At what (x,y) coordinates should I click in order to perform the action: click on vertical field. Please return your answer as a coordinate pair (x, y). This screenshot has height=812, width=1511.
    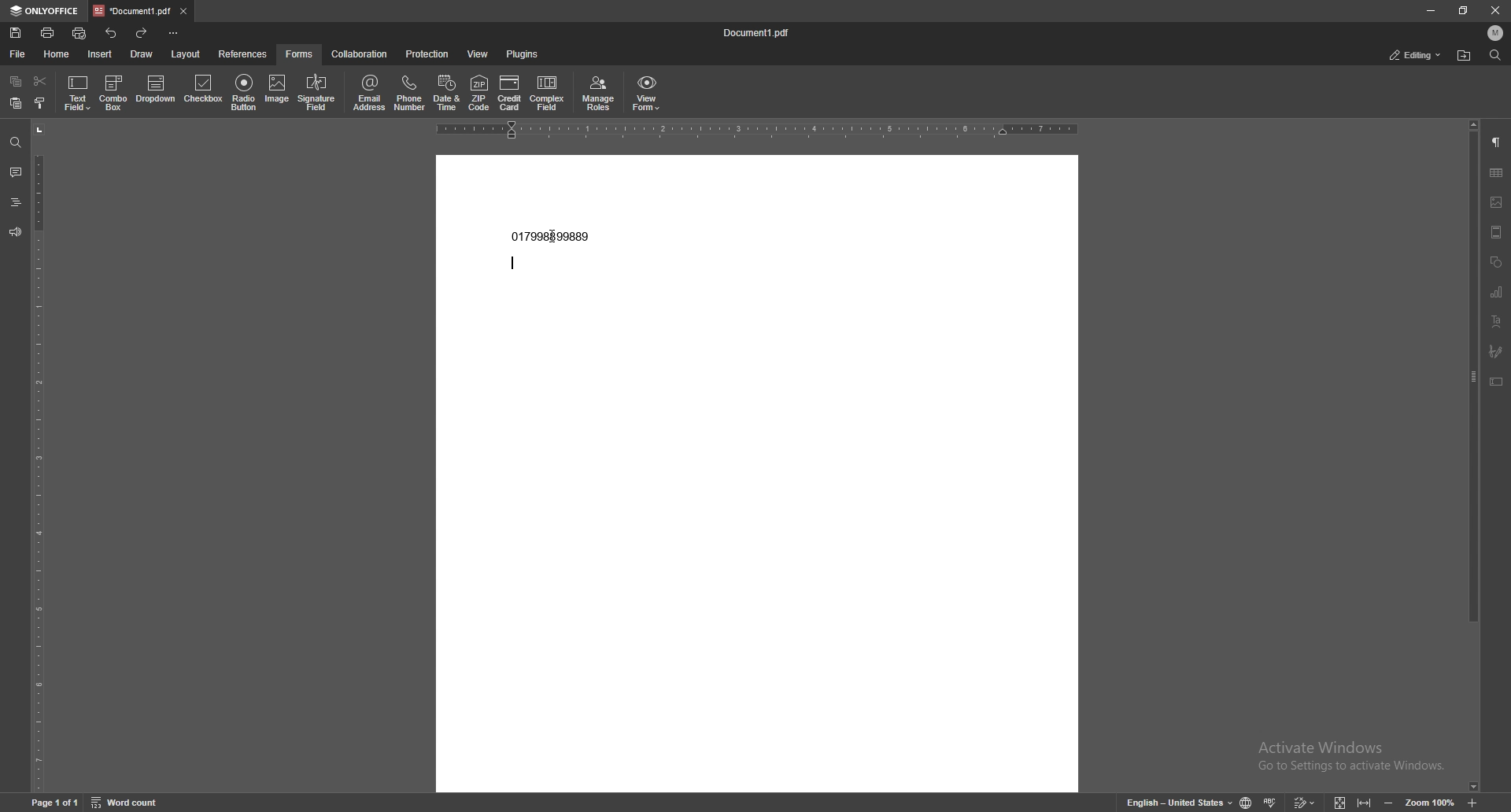
    Looking at the image, I should click on (38, 456).